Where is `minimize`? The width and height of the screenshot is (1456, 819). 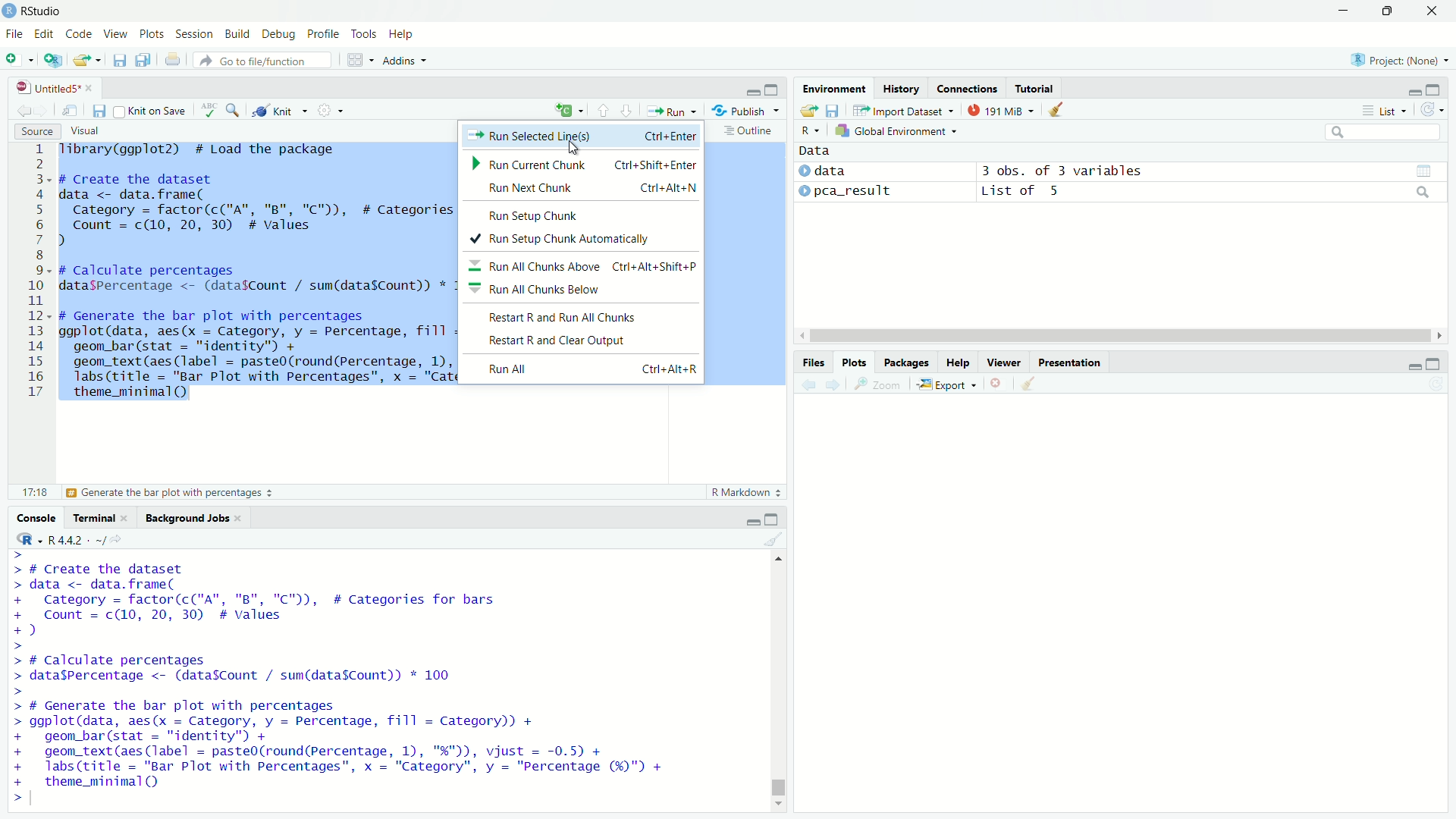
minimize is located at coordinates (1414, 89).